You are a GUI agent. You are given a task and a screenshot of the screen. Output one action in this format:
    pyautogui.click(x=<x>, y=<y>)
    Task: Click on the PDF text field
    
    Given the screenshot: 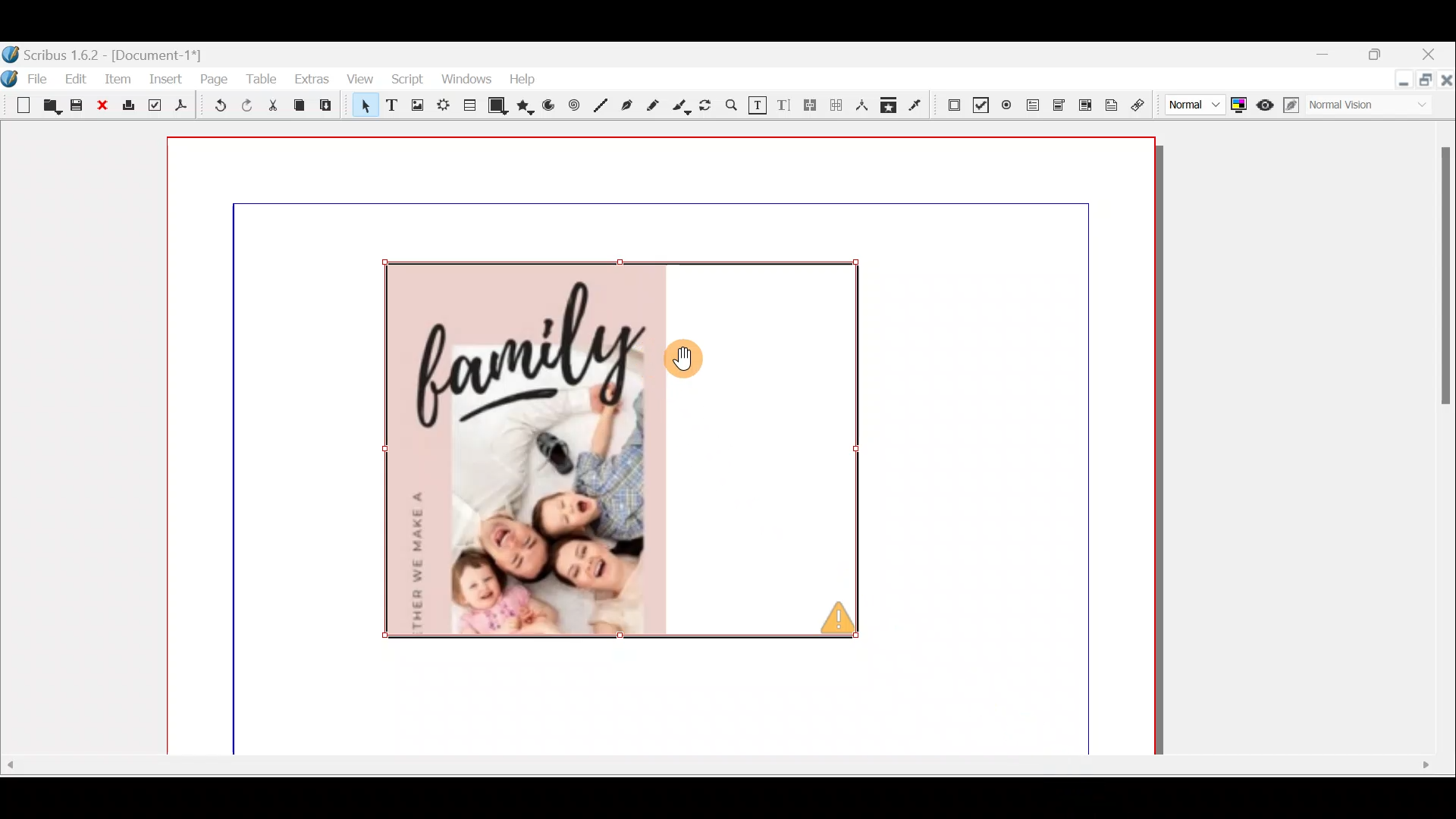 What is the action you would take?
    pyautogui.click(x=1033, y=105)
    